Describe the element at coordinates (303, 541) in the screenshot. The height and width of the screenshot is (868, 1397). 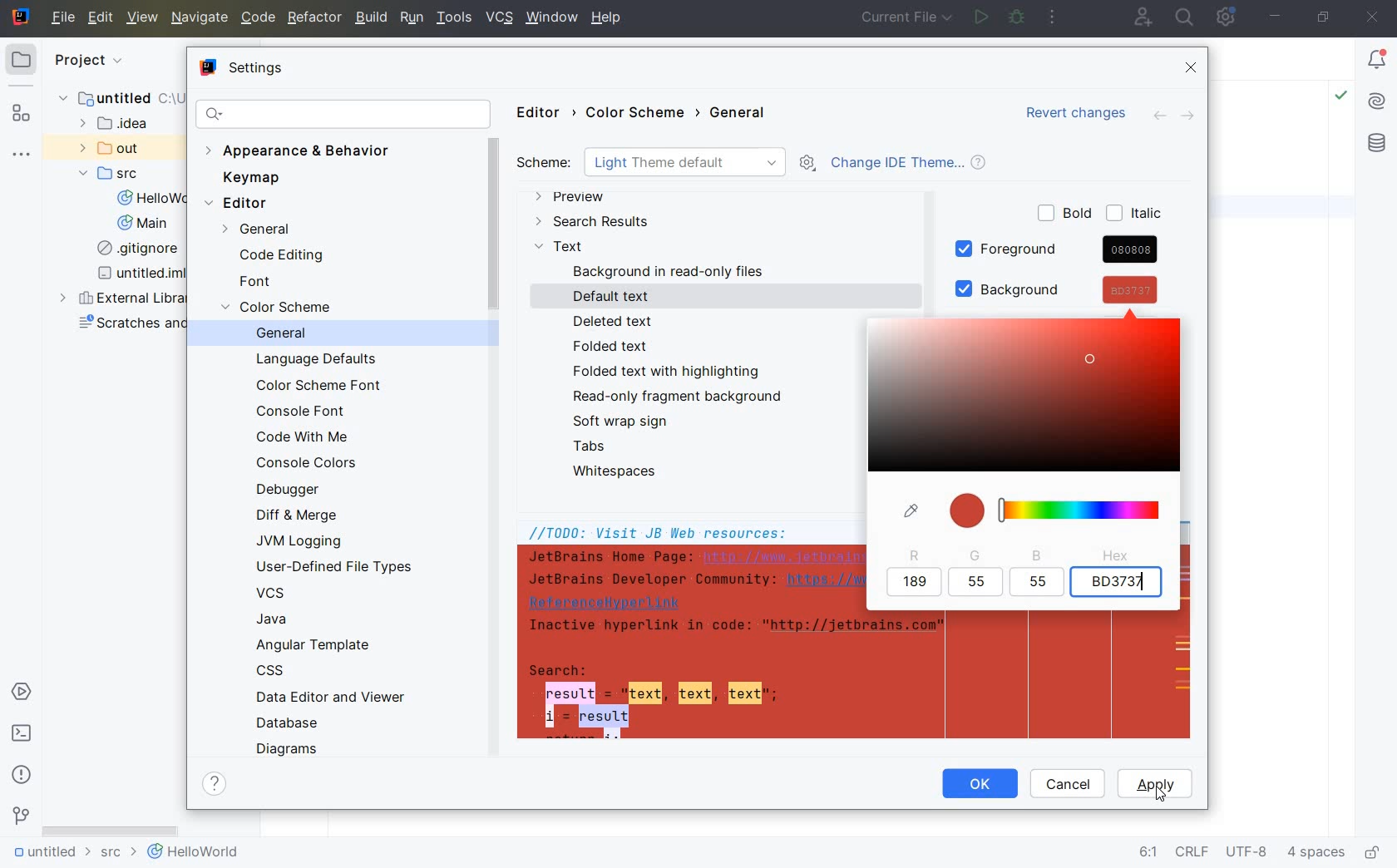
I see `JVM LOGGING` at that location.